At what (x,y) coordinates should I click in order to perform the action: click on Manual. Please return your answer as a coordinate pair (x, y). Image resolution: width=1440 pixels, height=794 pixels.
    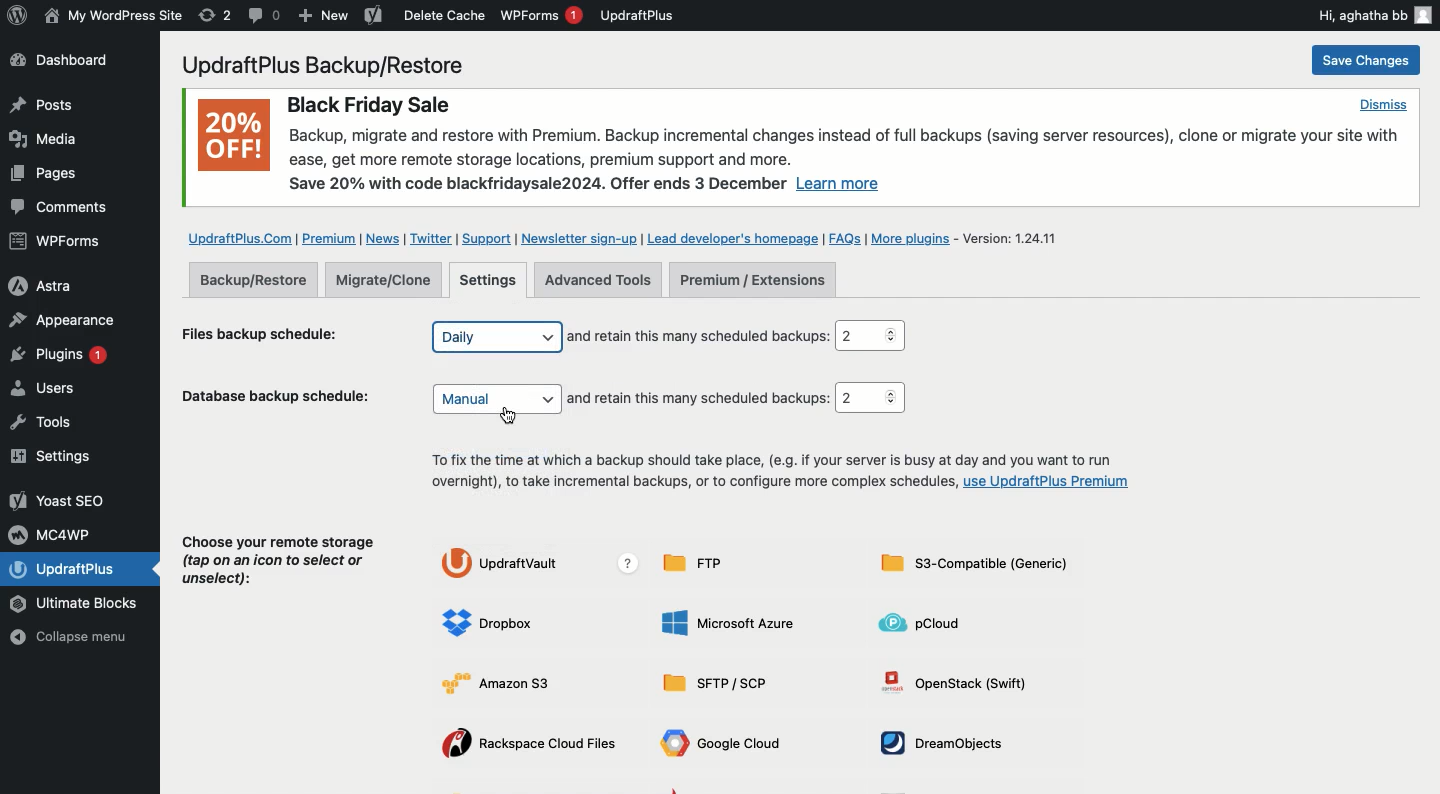
    Looking at the image, I should click on (498, 399).